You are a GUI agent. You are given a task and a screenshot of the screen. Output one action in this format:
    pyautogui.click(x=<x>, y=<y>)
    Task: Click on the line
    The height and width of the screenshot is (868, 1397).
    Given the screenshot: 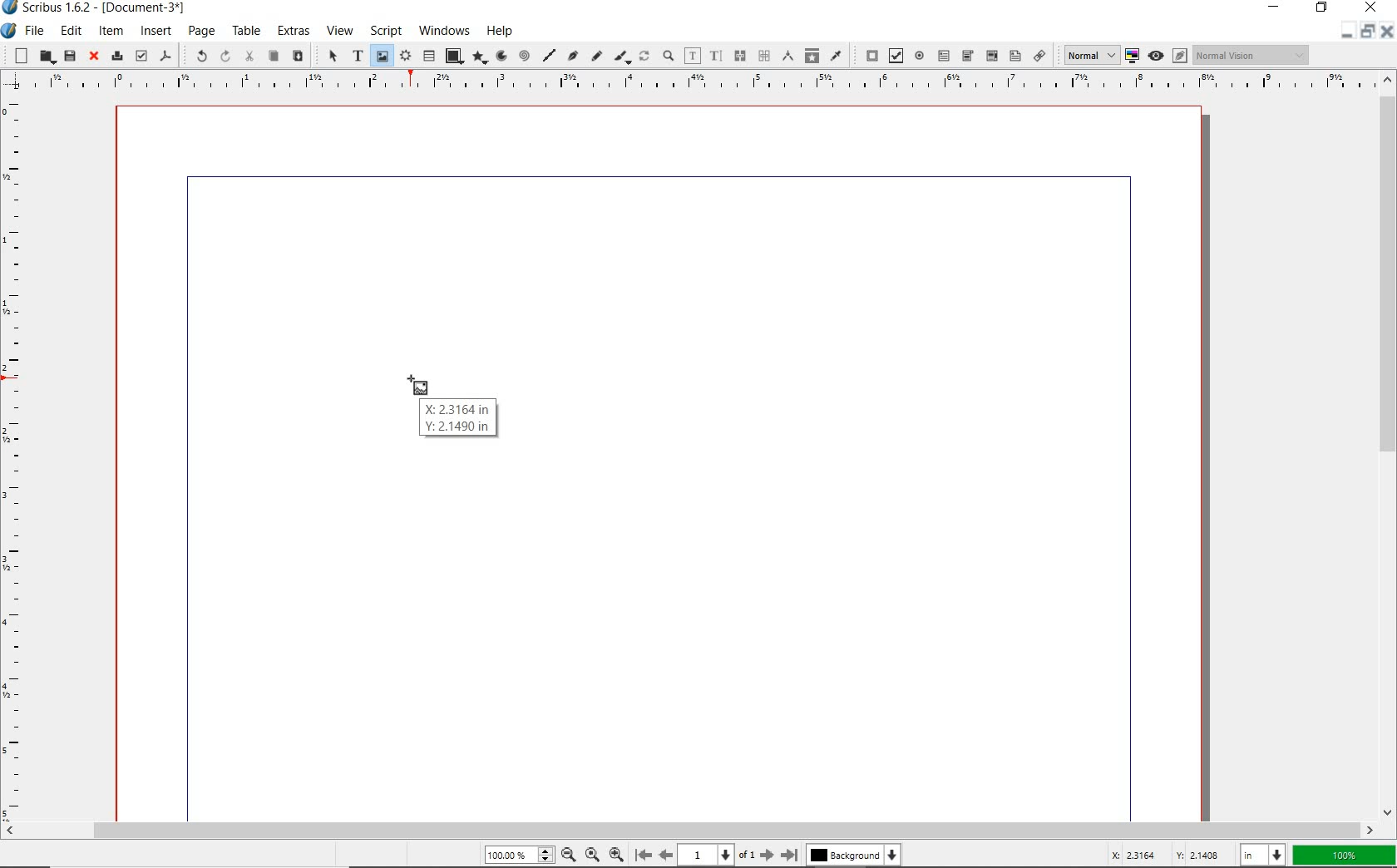 What is the action you would take?
    pyautogui.click(x=549, y=55)
    